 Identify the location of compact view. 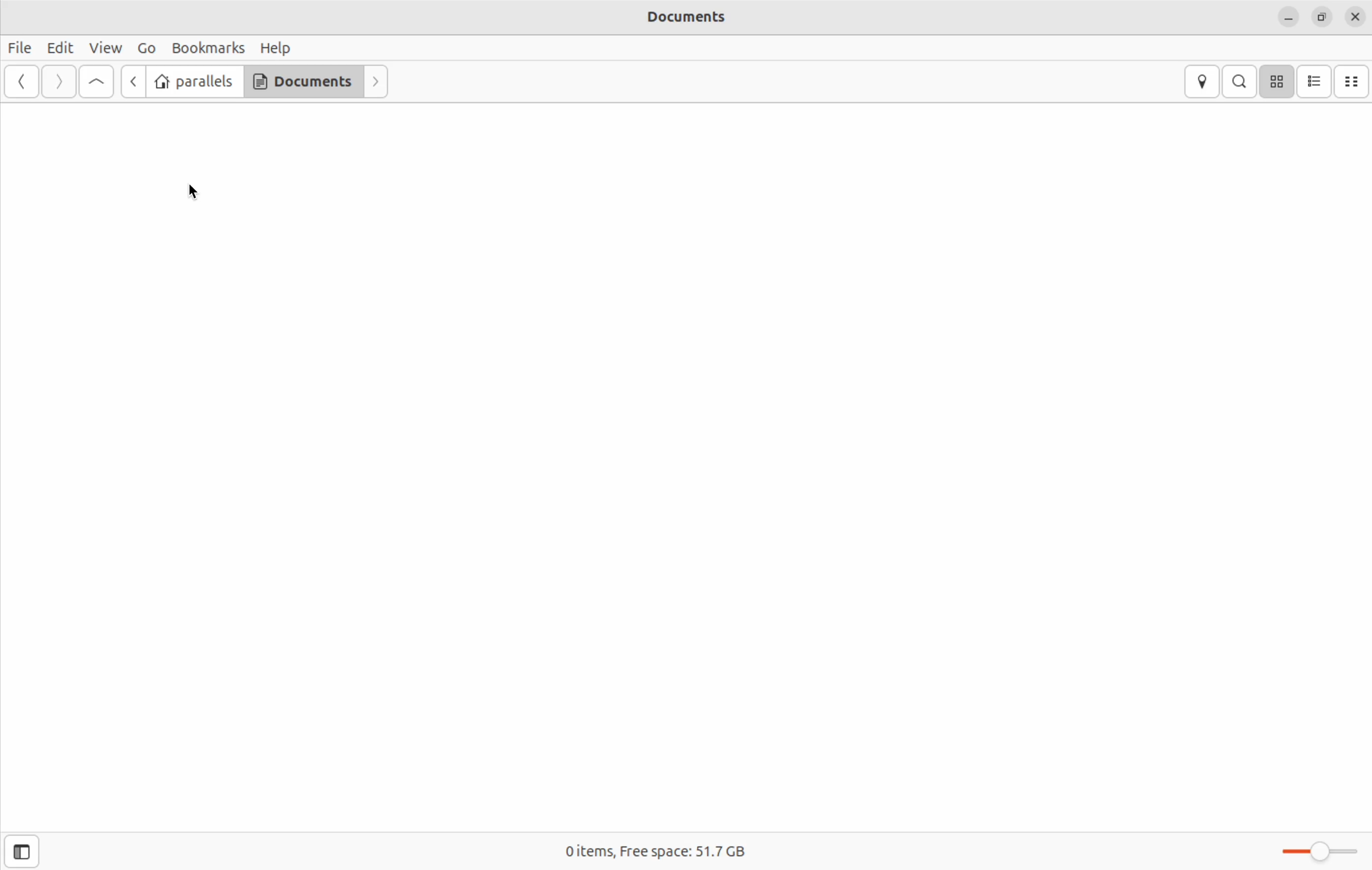
(1355, 80).